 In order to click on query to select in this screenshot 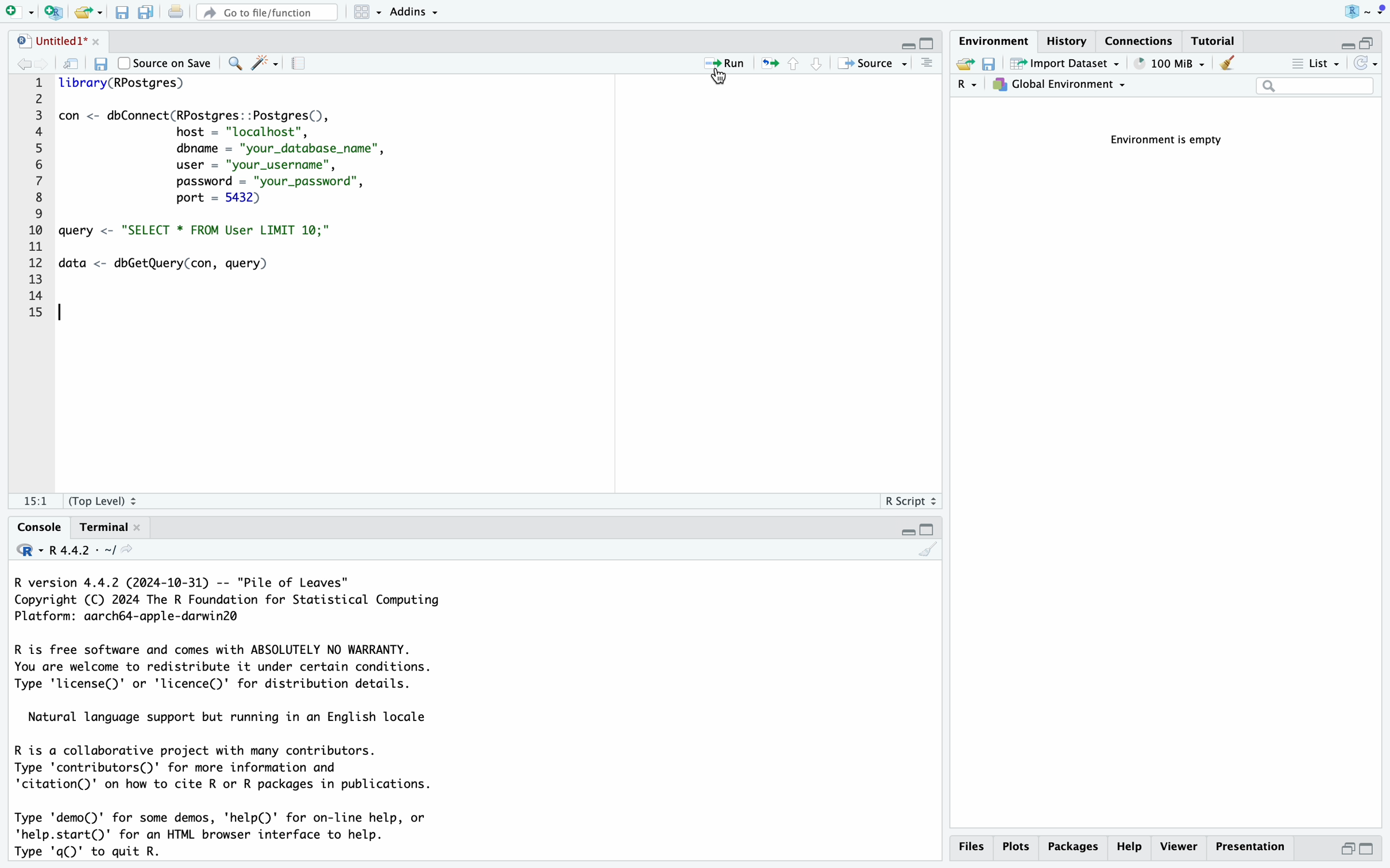, I will do `click(206, 231)`.